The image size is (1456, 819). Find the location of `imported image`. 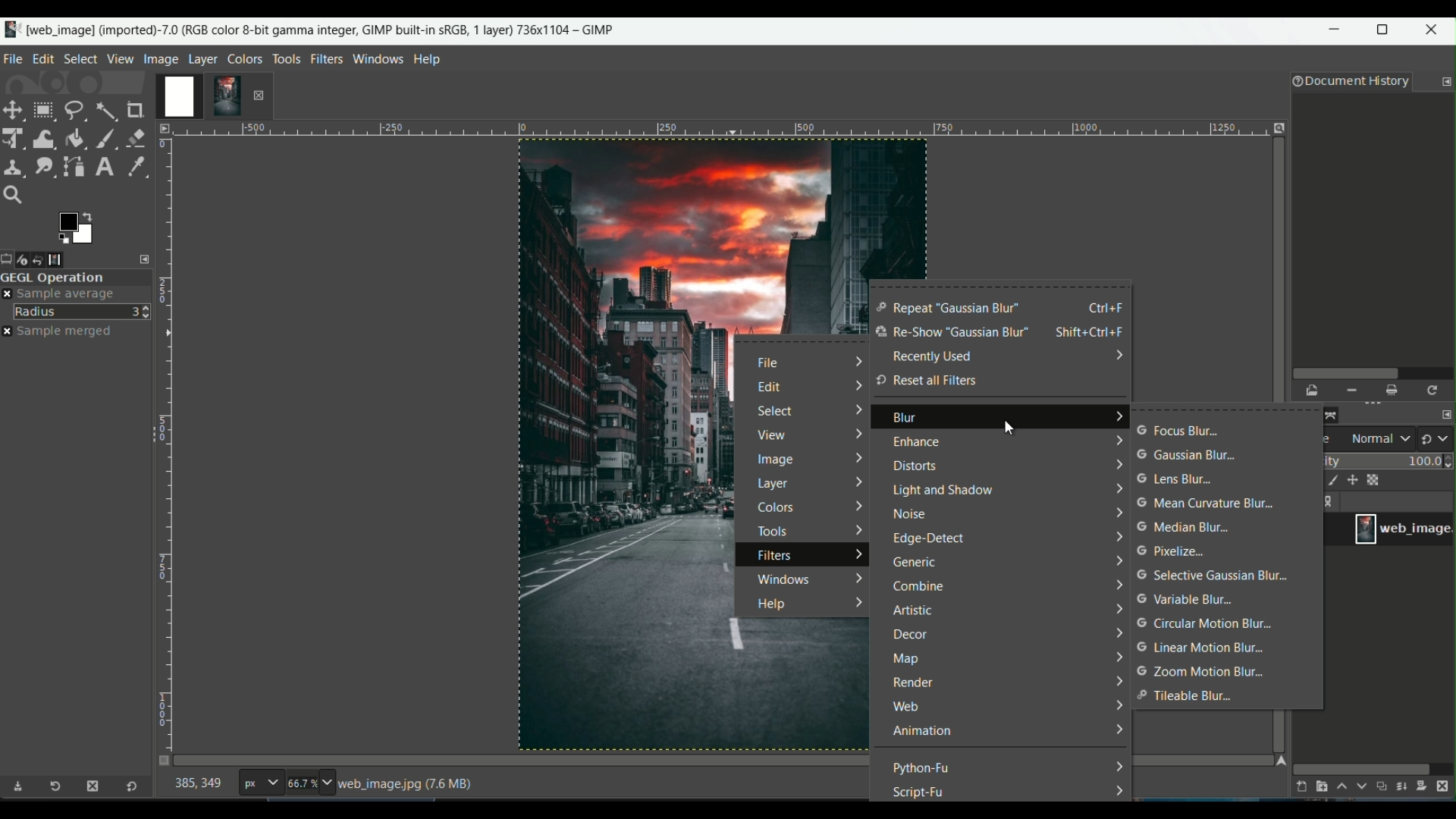

imported image is located at coordinates (201, 97).